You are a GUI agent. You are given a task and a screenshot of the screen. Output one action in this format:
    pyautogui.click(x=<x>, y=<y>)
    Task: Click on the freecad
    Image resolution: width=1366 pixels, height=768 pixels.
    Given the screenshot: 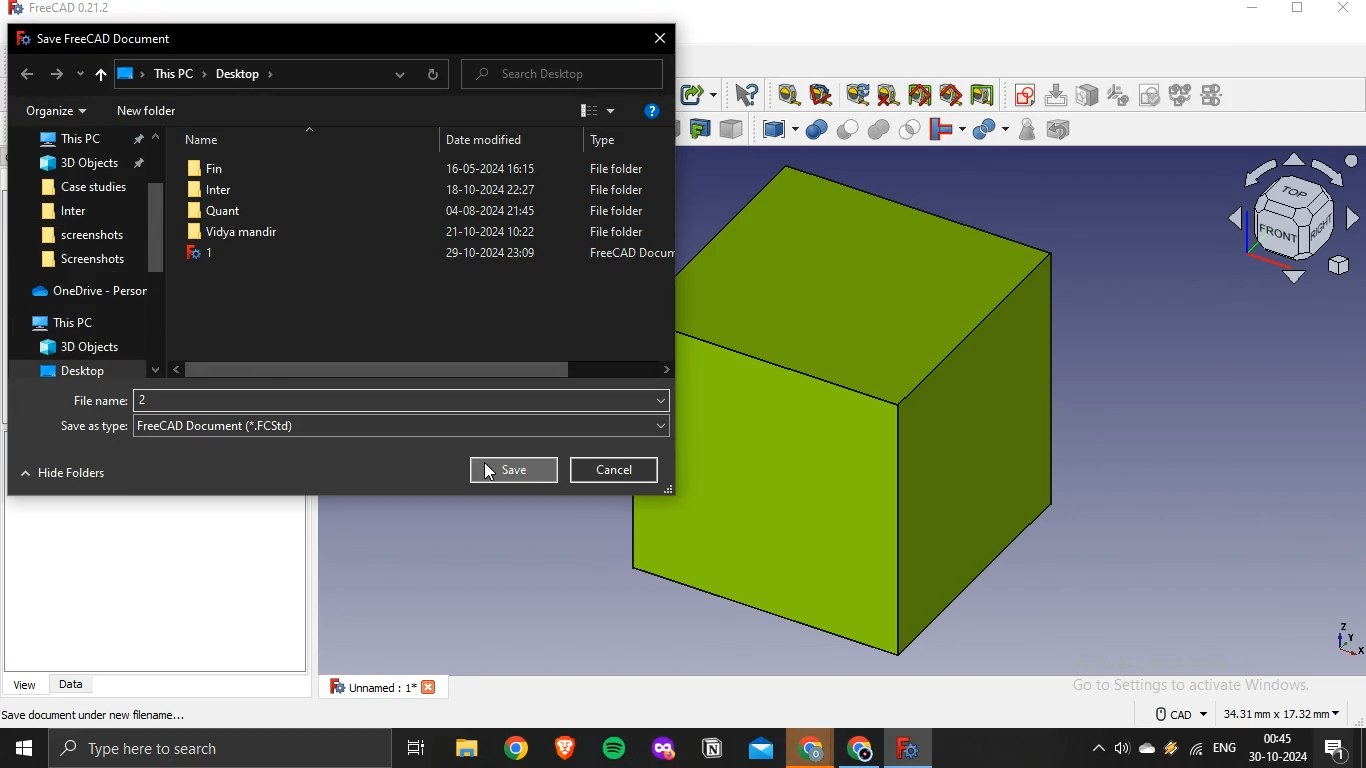 What is the action you would take?
    pyautogui.click(x=907, y=748)
    